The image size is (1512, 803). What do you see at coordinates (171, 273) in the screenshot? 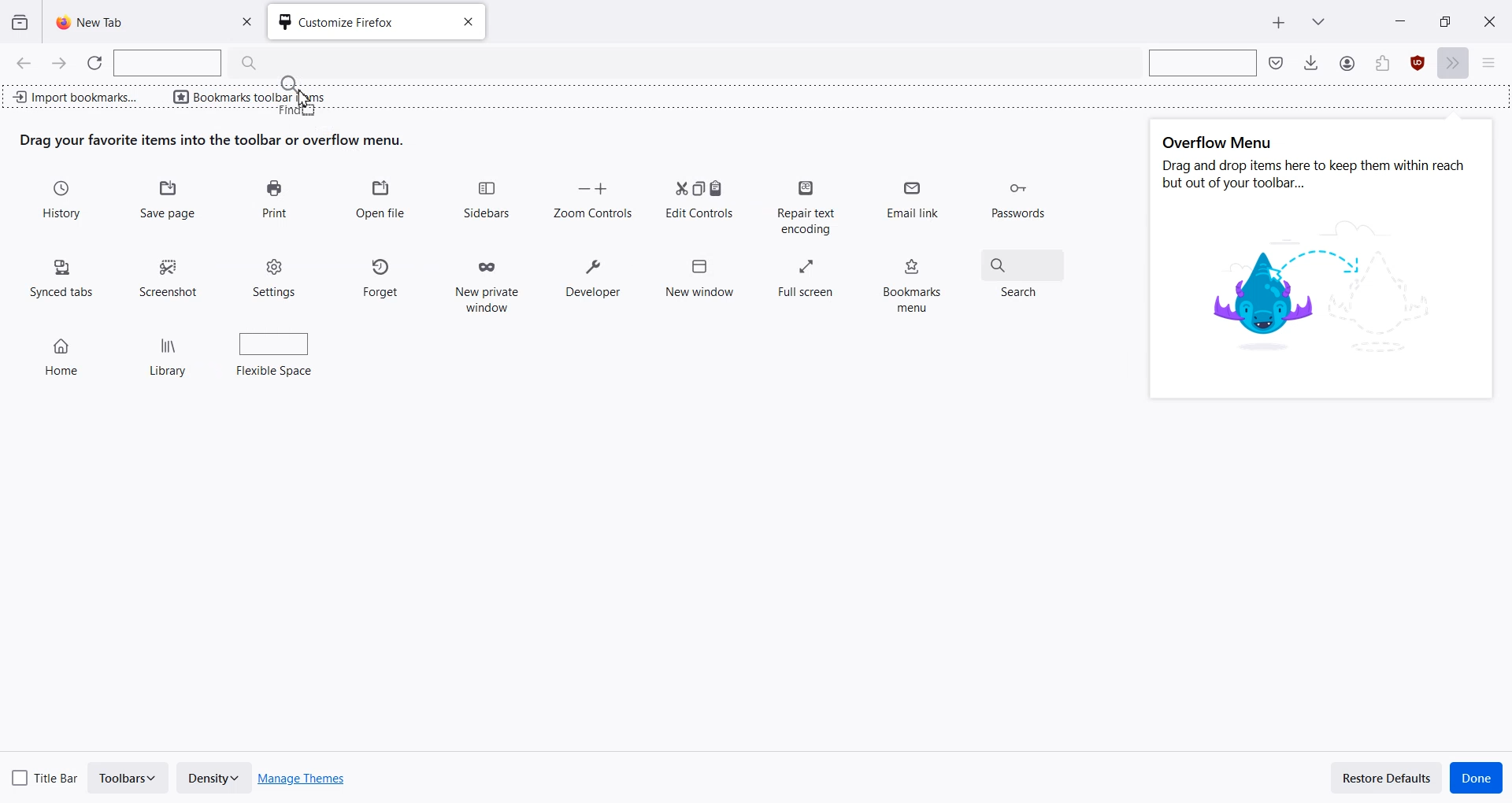
I see `Screenshot` at bounding box center [171, 273].